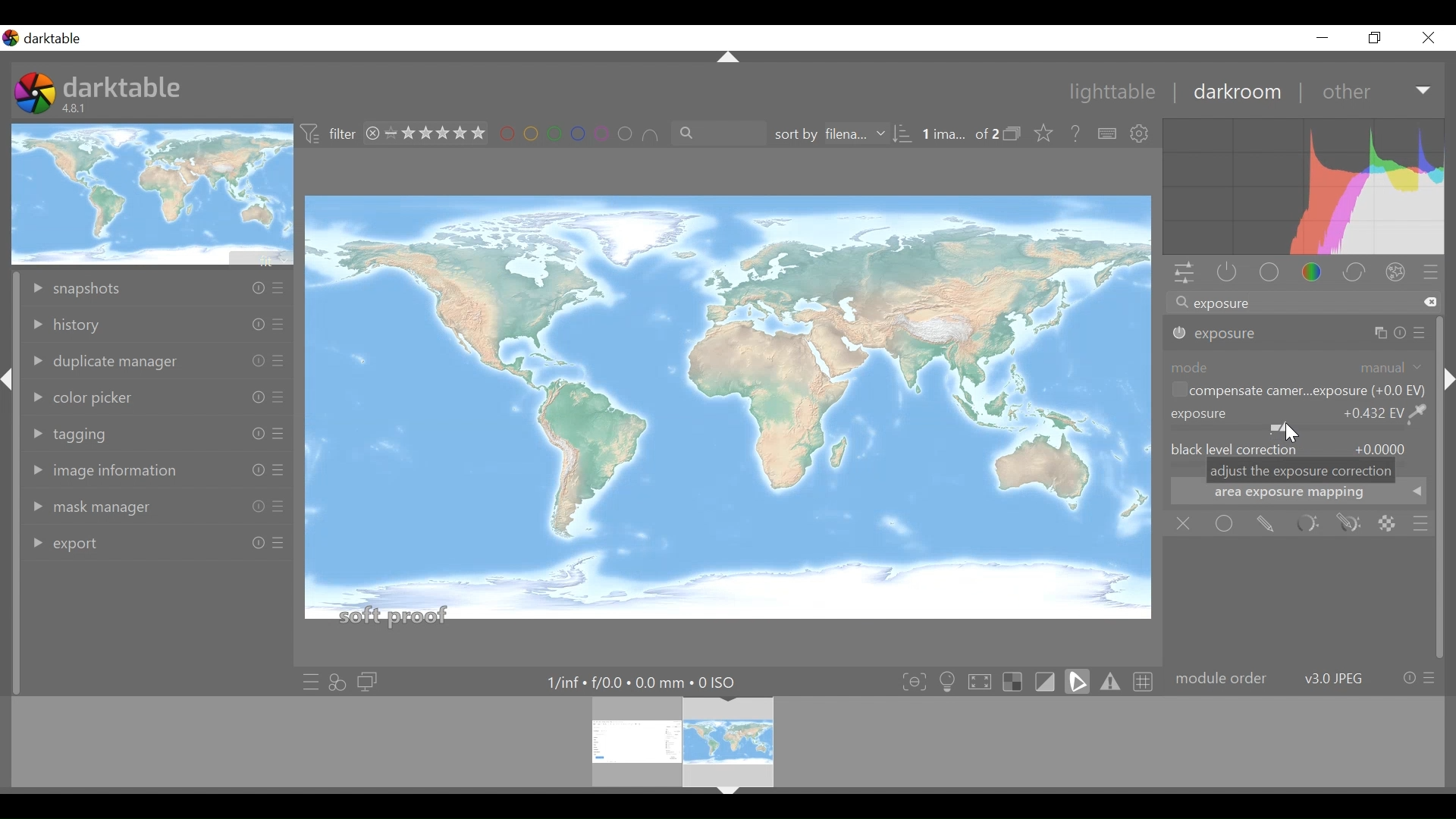 The width and height of the screenshot is (1456, 819). Describe the element at coordinates (959, 135) in the screenshot. I see `image selected out of` at that location.